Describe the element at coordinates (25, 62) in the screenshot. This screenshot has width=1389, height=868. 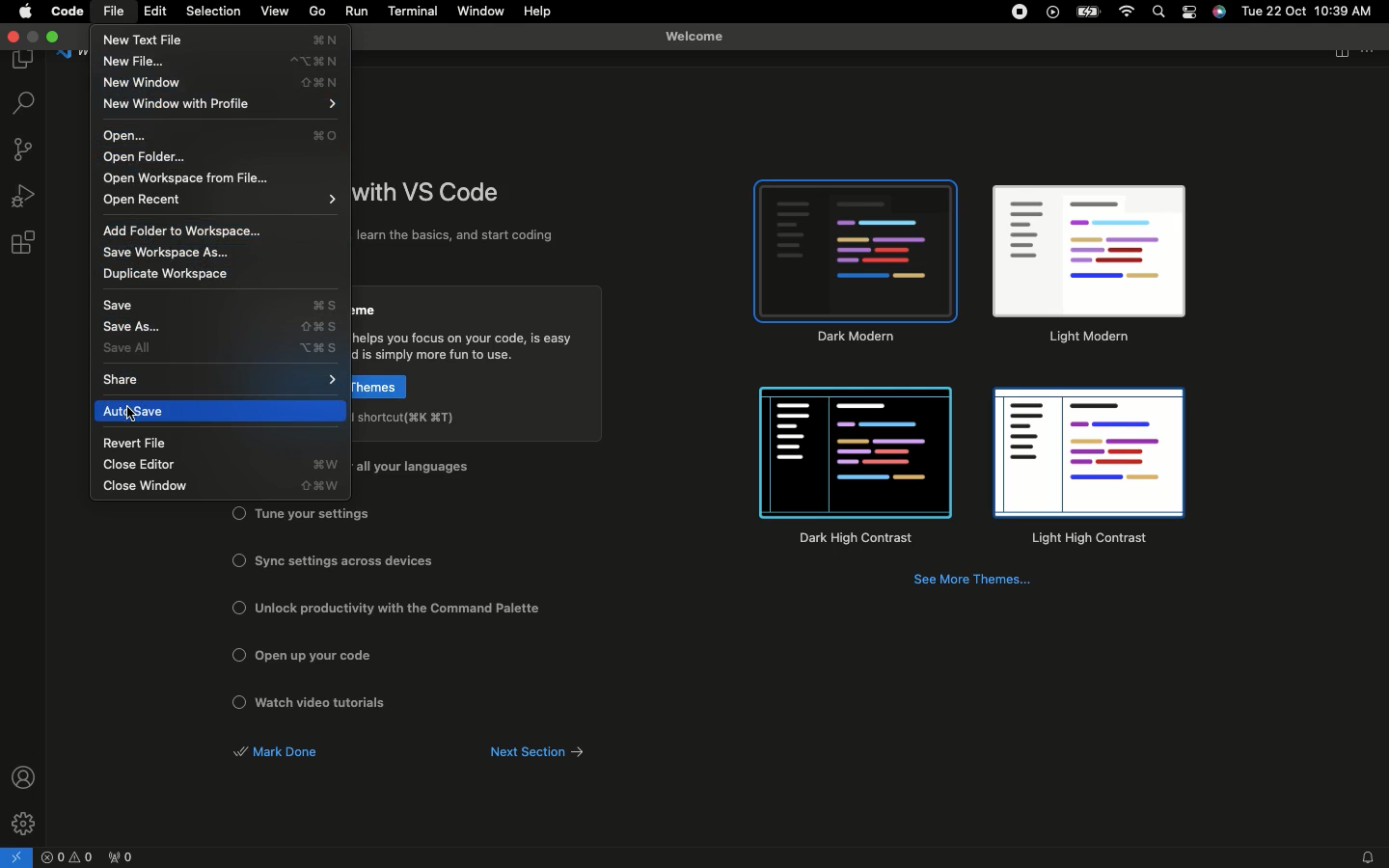
I see `Explorer` at that location.